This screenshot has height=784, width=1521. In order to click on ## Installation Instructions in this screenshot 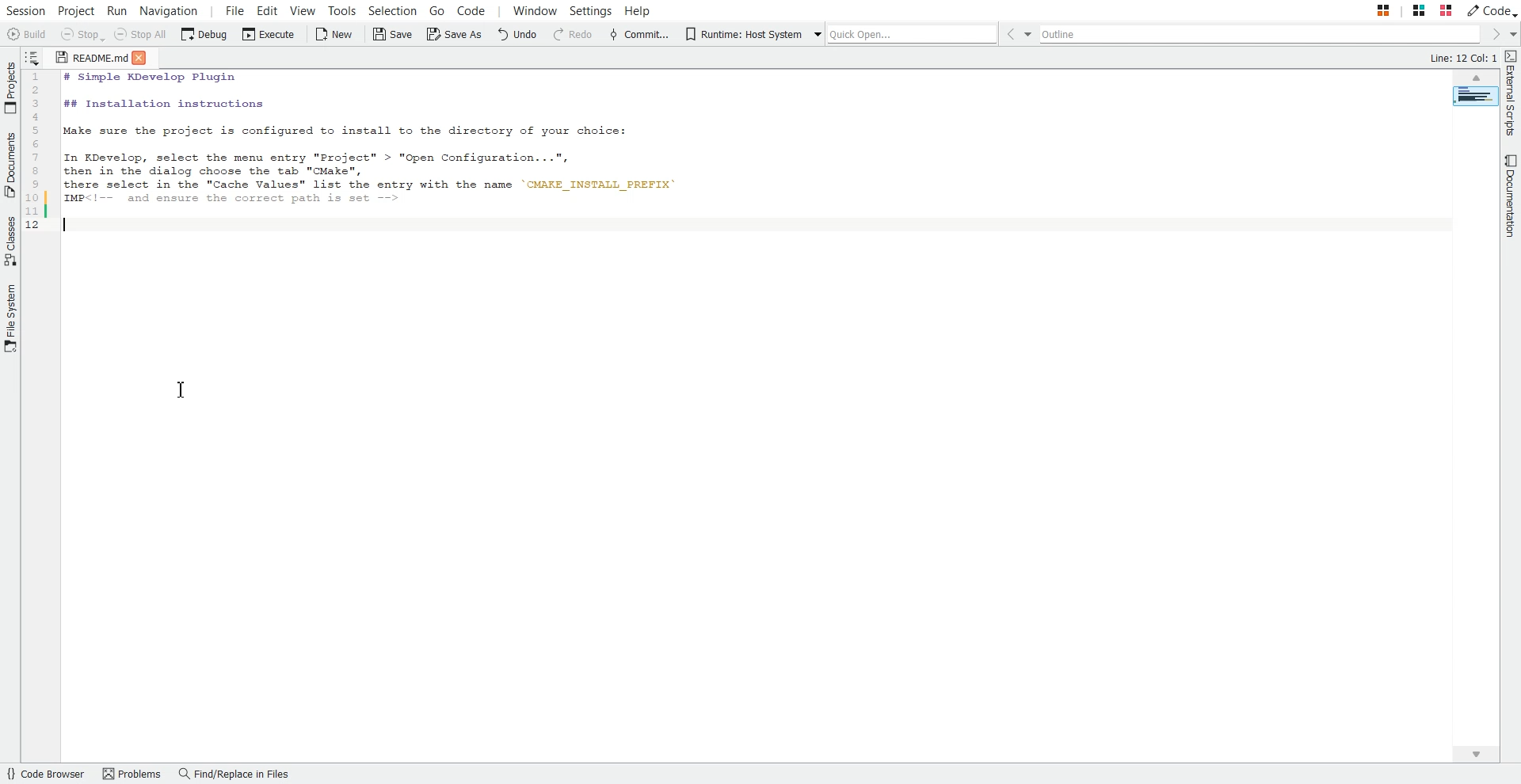, I will do `click(162, 105)`.